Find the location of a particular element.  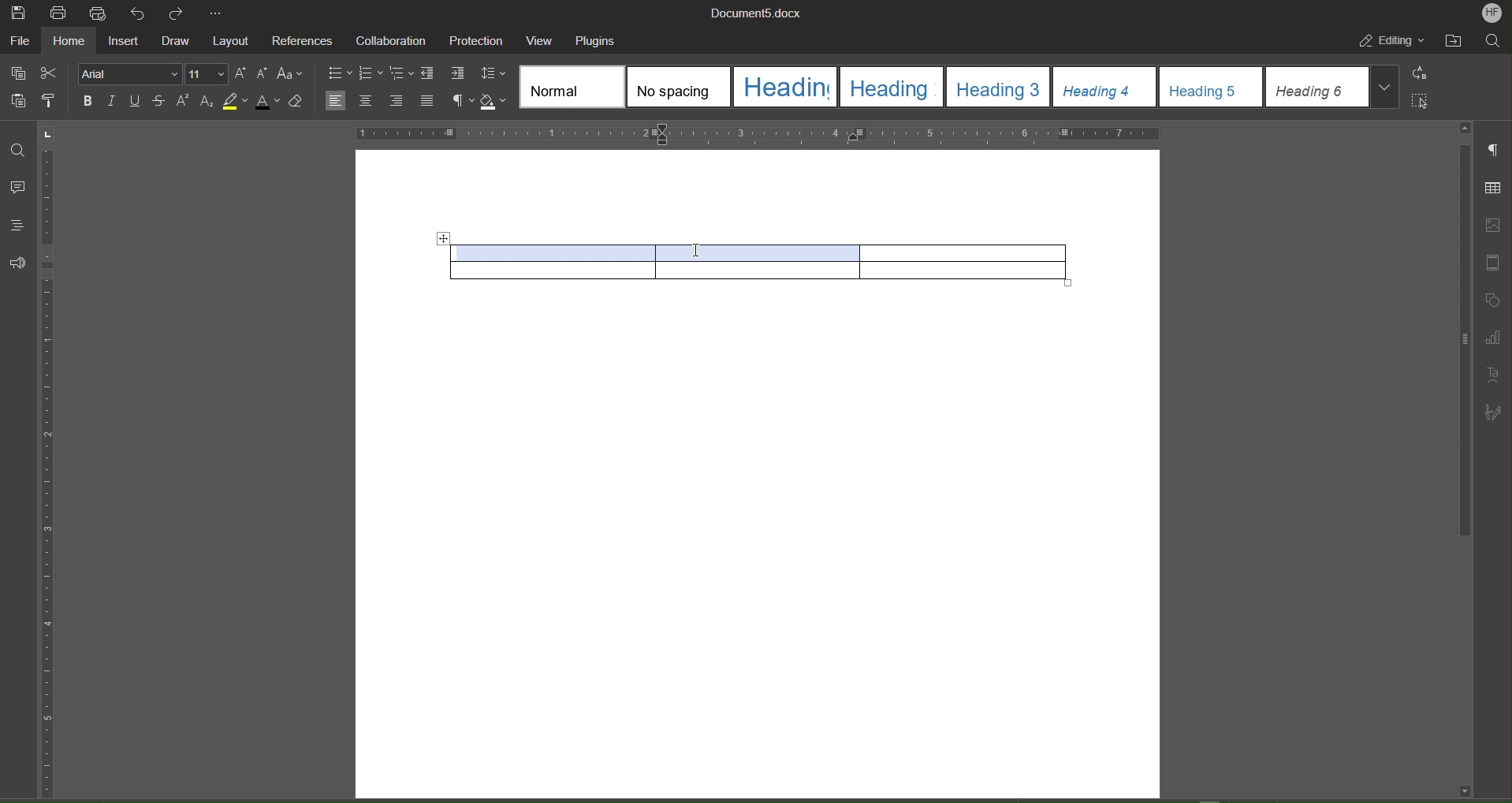

Undo is located at coordinates (142, 14).